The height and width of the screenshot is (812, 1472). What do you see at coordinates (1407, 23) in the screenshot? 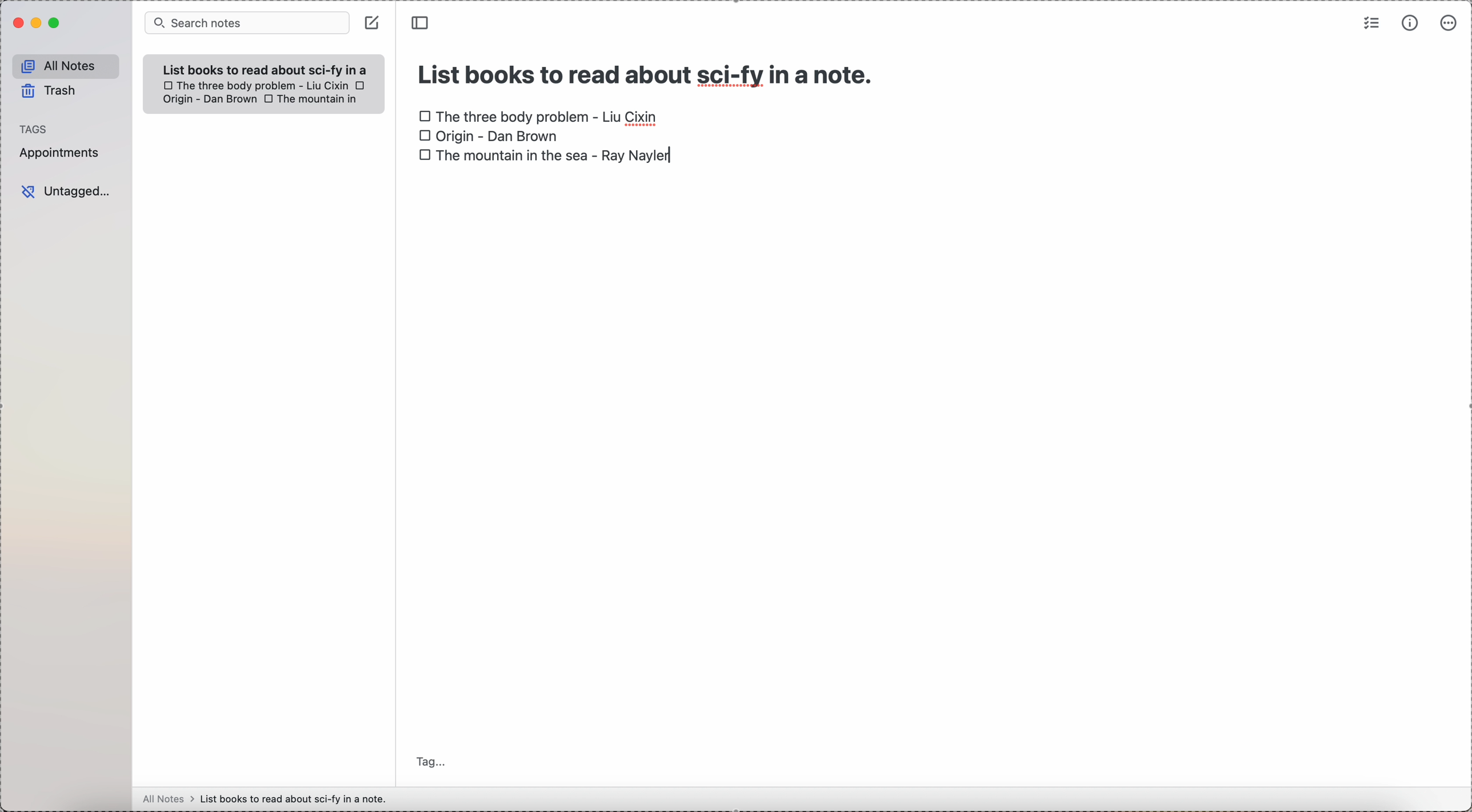
I see `metrics` at bounding box center [1407, 23].